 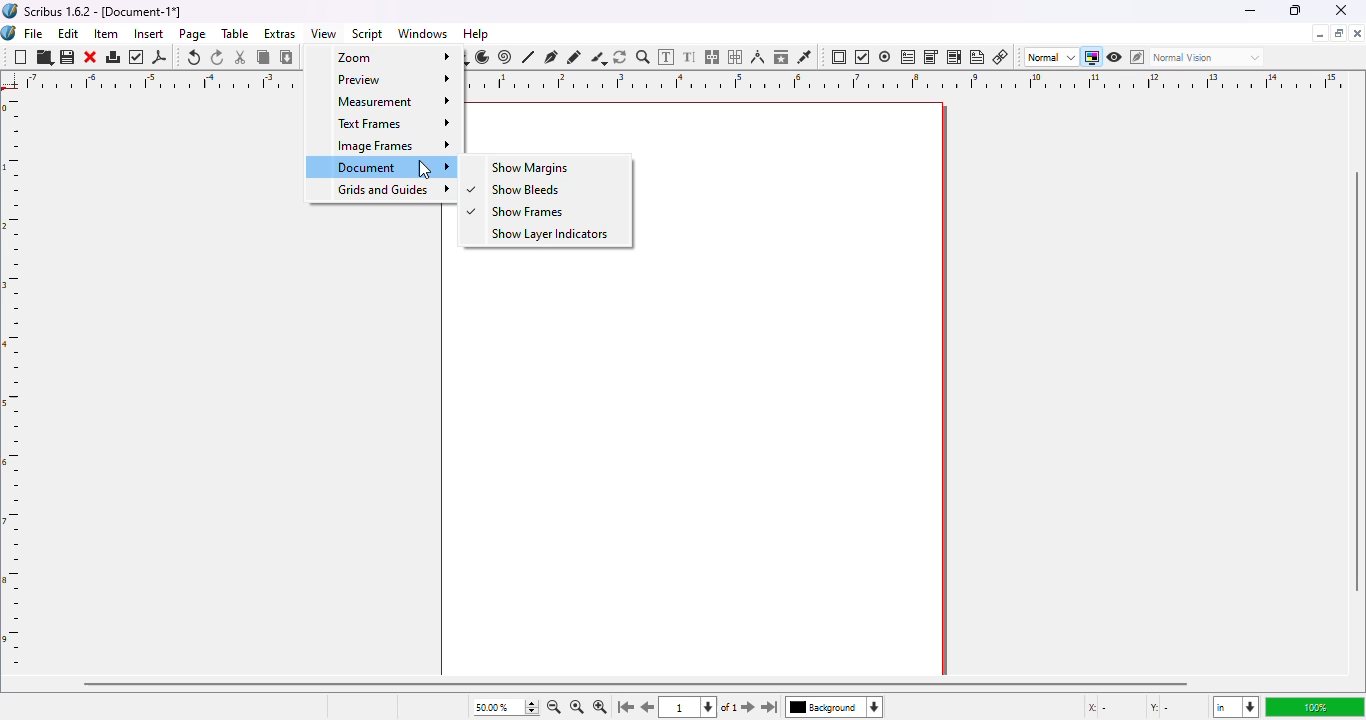 I want to click on rotate item, so click(x=621, y=57).